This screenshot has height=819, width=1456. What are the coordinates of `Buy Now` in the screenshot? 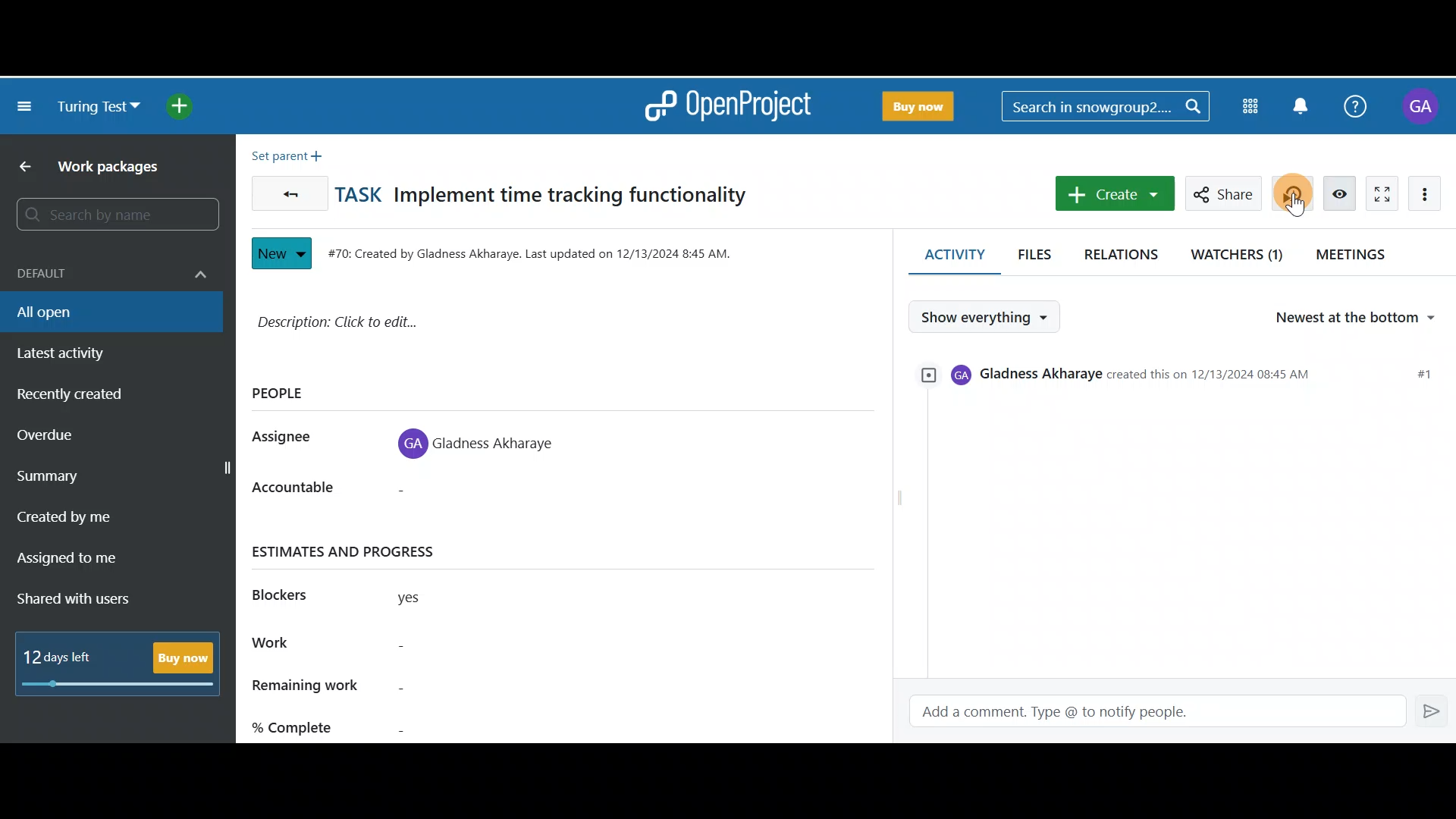 It's located at (915, 103).